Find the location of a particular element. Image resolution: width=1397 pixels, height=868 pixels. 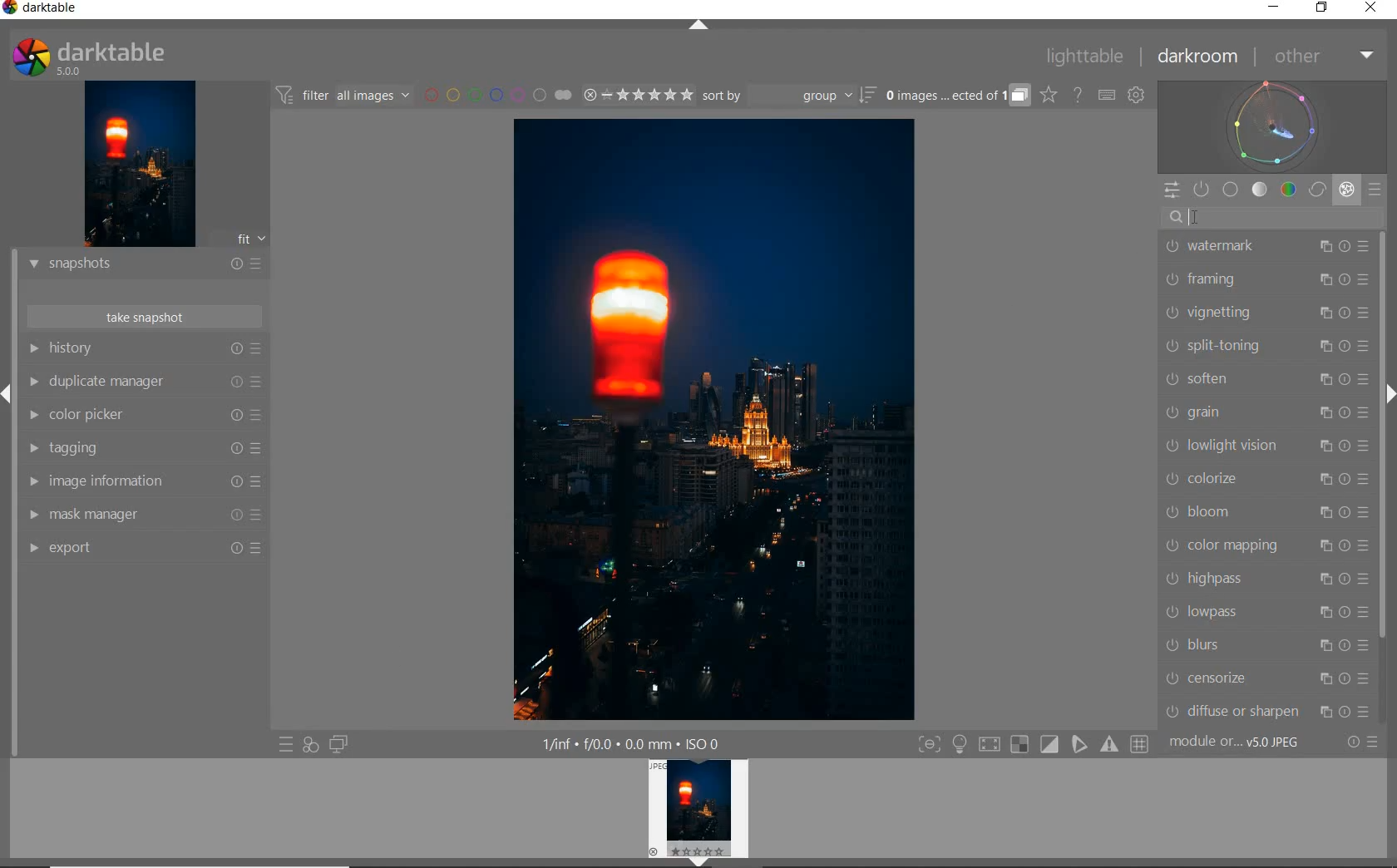

LIGHTTABLE is located at coordinates (1087, 55).